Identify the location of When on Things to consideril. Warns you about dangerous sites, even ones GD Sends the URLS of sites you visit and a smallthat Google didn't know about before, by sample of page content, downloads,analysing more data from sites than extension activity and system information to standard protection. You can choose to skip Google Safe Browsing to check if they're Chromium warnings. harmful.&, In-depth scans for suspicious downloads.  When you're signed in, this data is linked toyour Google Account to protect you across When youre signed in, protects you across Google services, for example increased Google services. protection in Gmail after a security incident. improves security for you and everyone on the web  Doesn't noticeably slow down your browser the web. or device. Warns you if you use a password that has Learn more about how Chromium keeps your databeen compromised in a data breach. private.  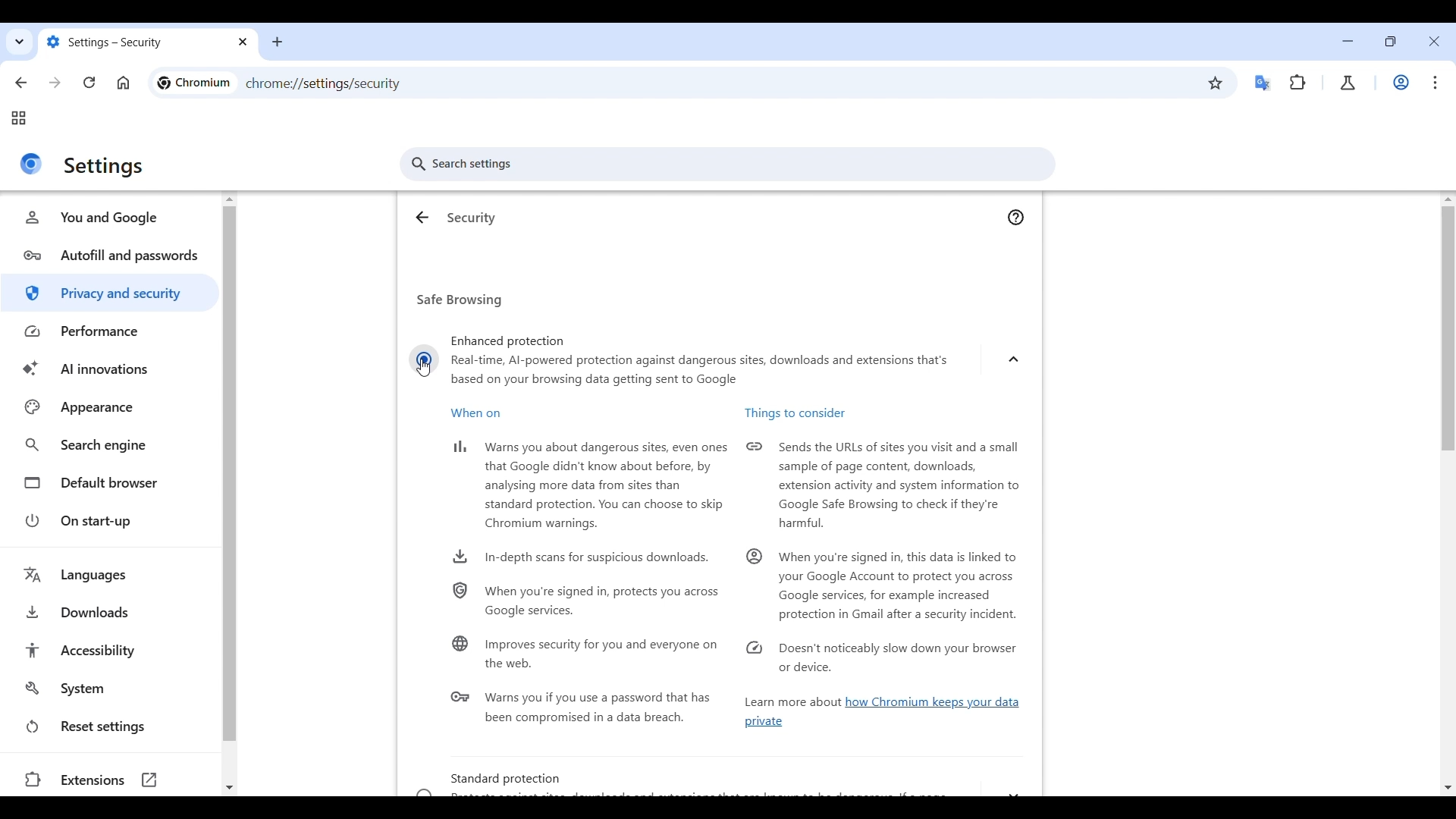
(726, 573).